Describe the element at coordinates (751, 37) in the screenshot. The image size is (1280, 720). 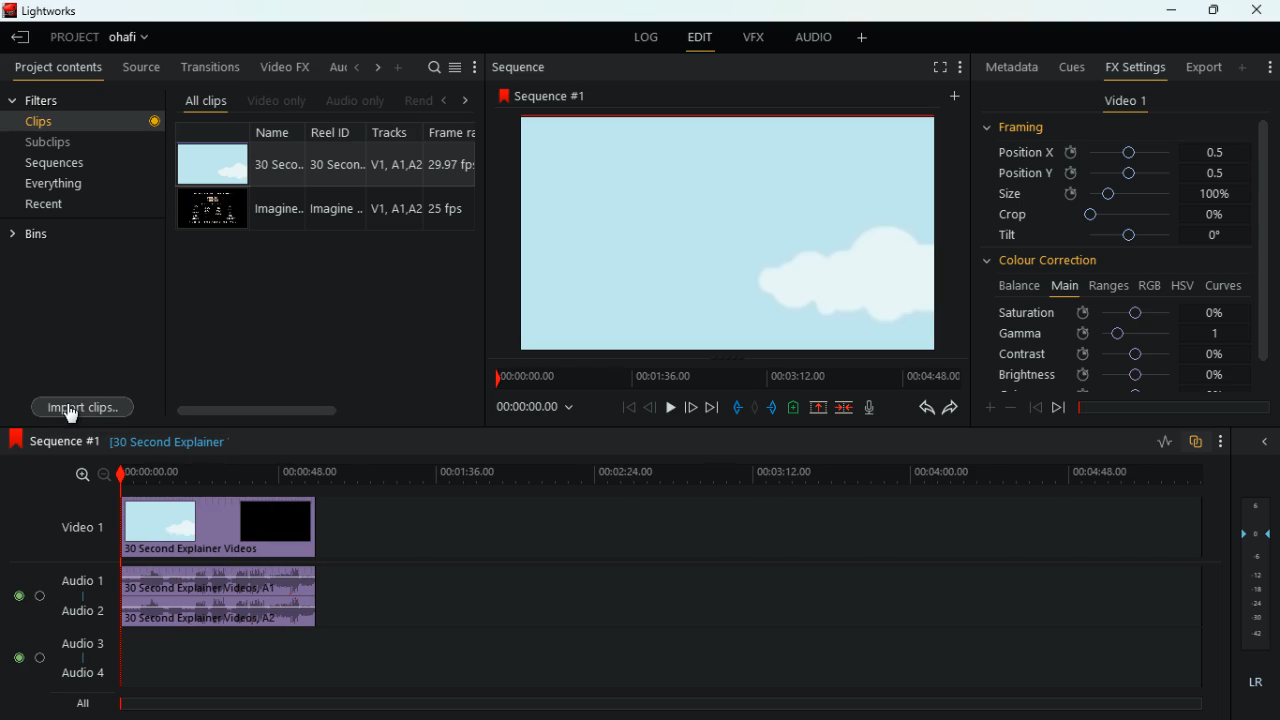
I see `vfx` at that location.